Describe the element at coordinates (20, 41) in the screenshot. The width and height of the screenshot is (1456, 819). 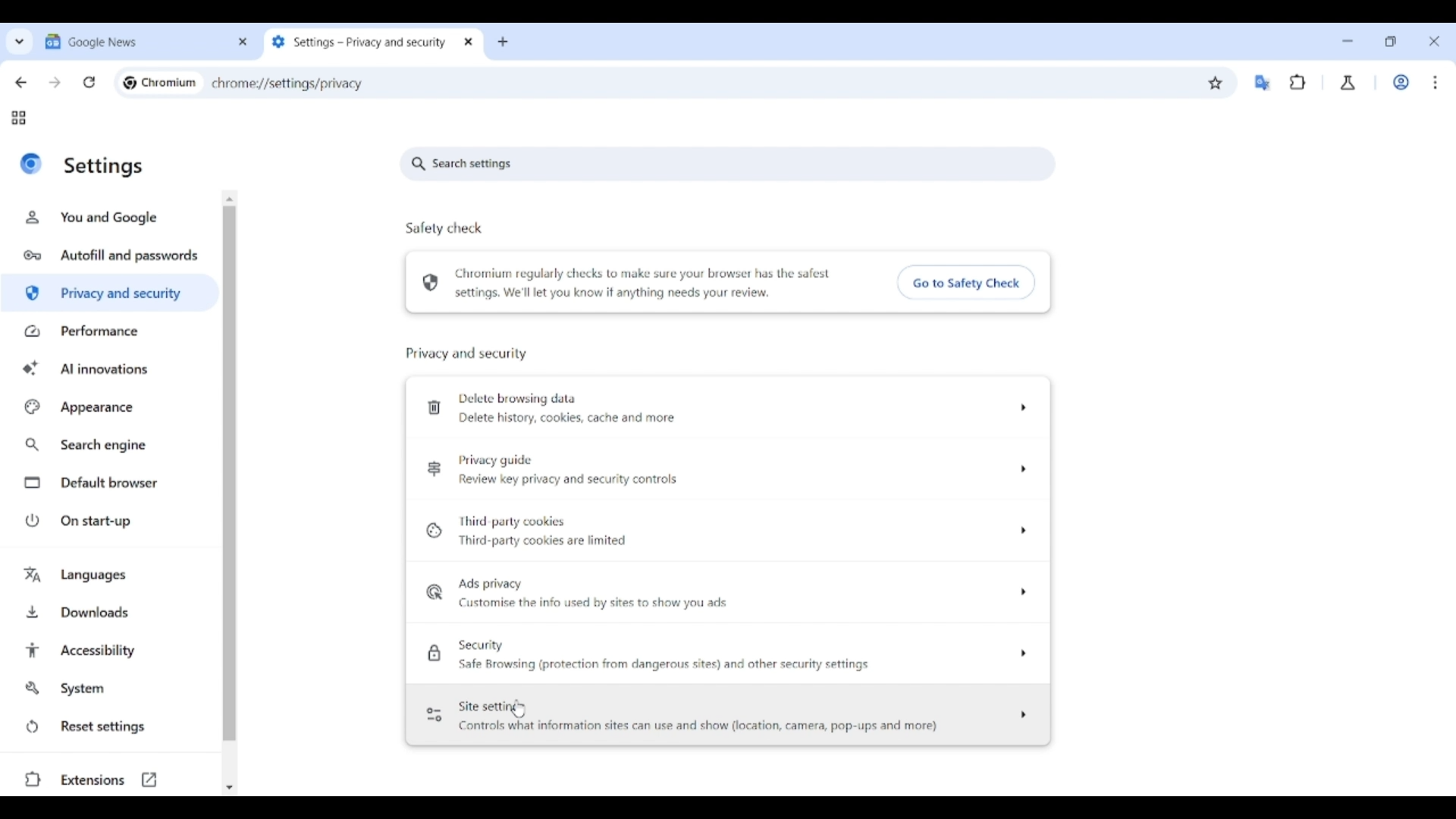
I see `Search tabs` at that location.